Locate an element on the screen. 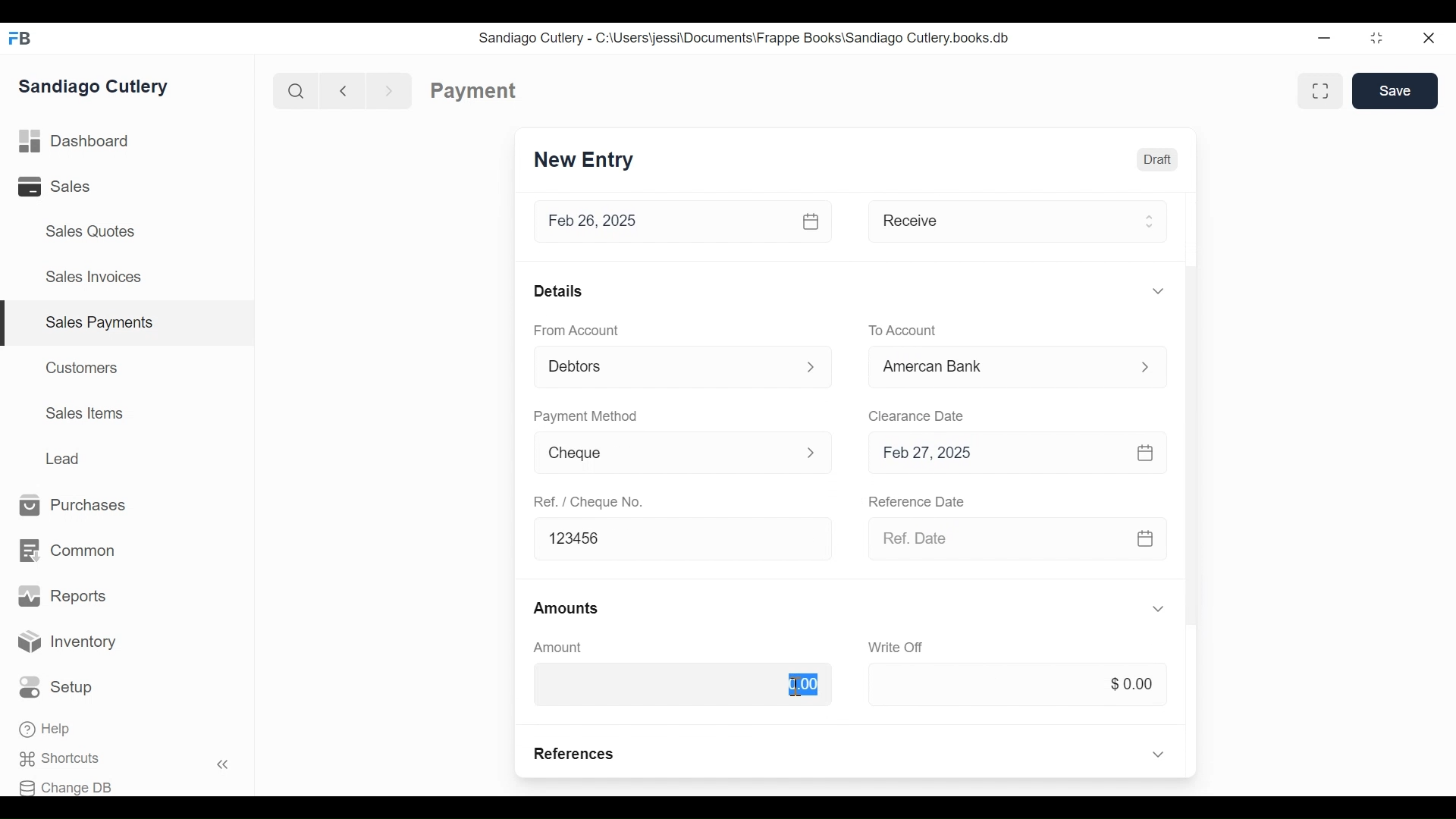  Navigate Back is located at coordinates (340, 90).